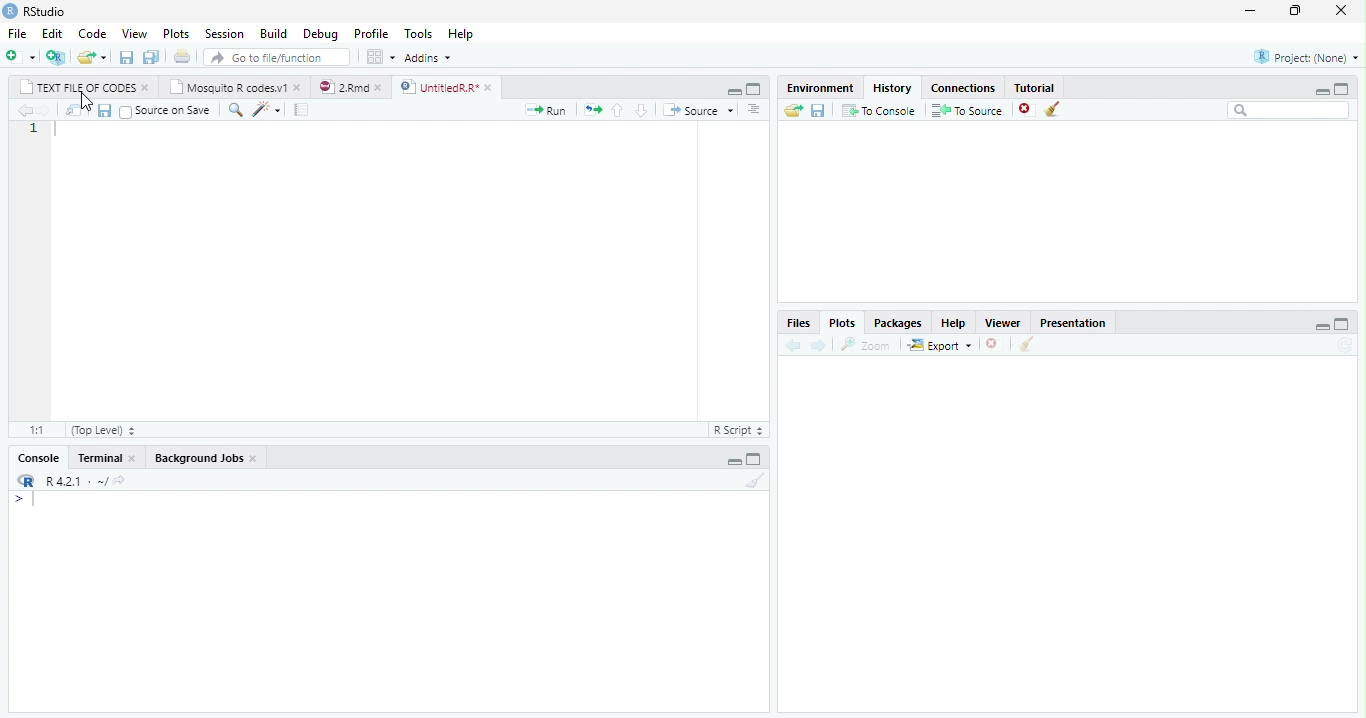 Image resolution: width=1366 pixels, height=718 pixels. I want to click on Re-run, so click(592, 110).